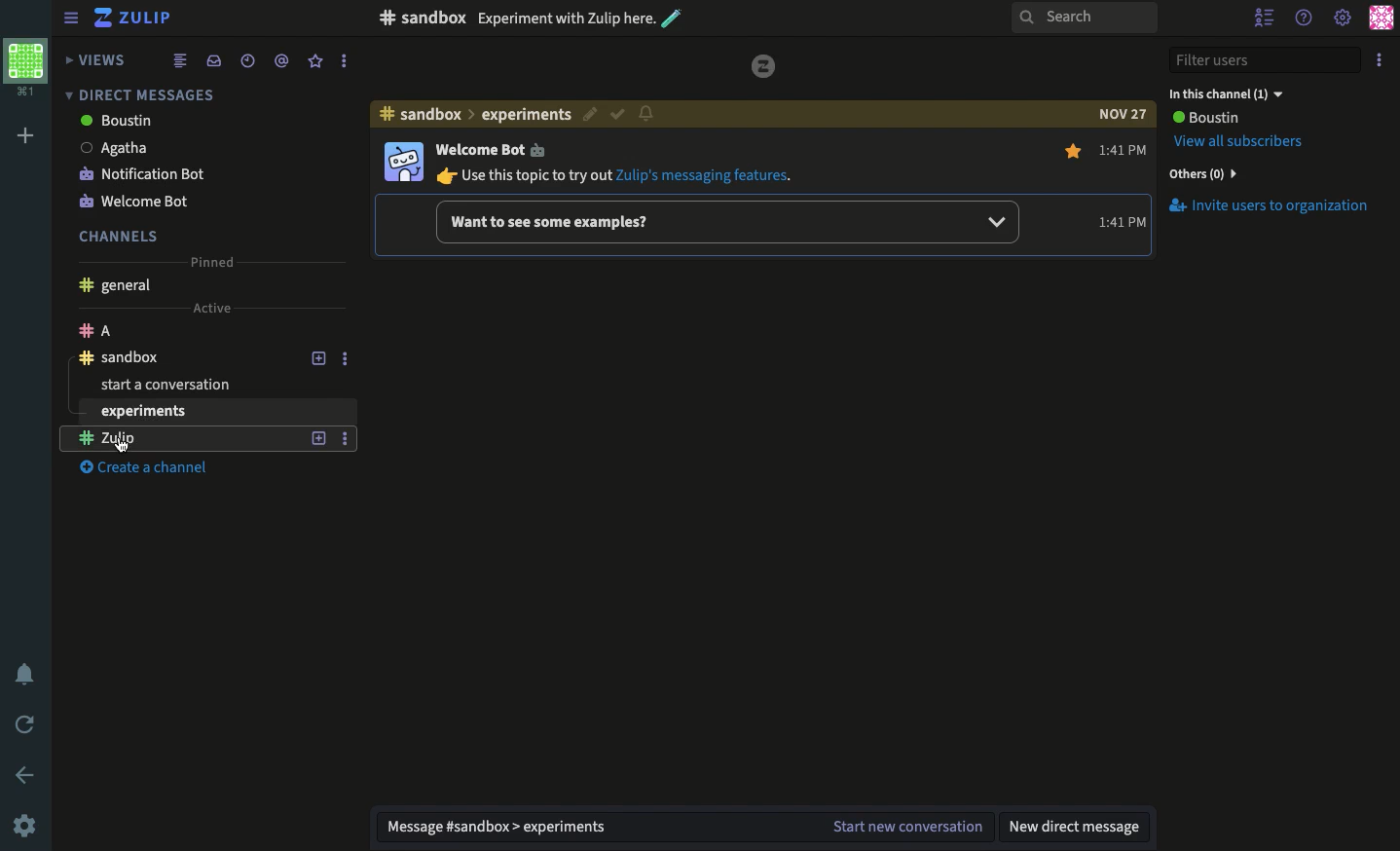 The image size is (1400, 851). I want to click on Direct messages, so click(136, 94).